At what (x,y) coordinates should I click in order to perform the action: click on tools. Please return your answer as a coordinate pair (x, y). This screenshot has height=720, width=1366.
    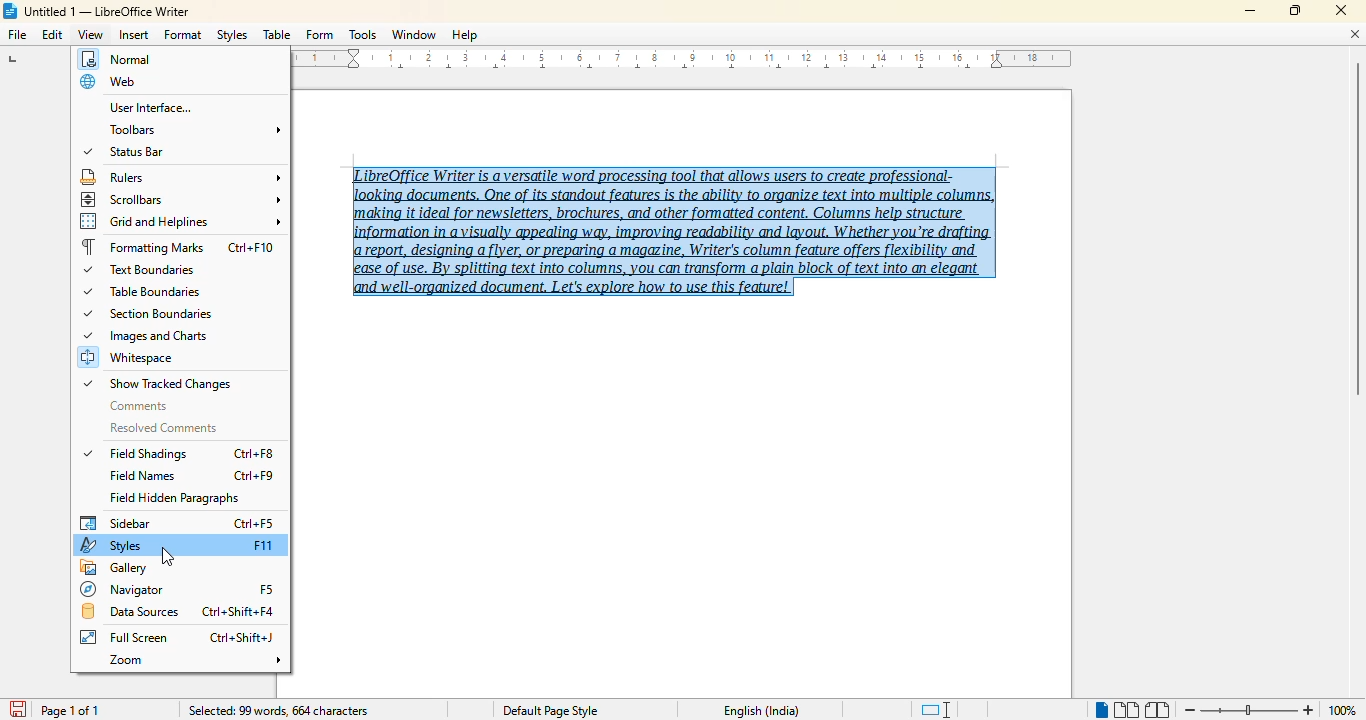
    Looking at the image, I should click on (363, 35).